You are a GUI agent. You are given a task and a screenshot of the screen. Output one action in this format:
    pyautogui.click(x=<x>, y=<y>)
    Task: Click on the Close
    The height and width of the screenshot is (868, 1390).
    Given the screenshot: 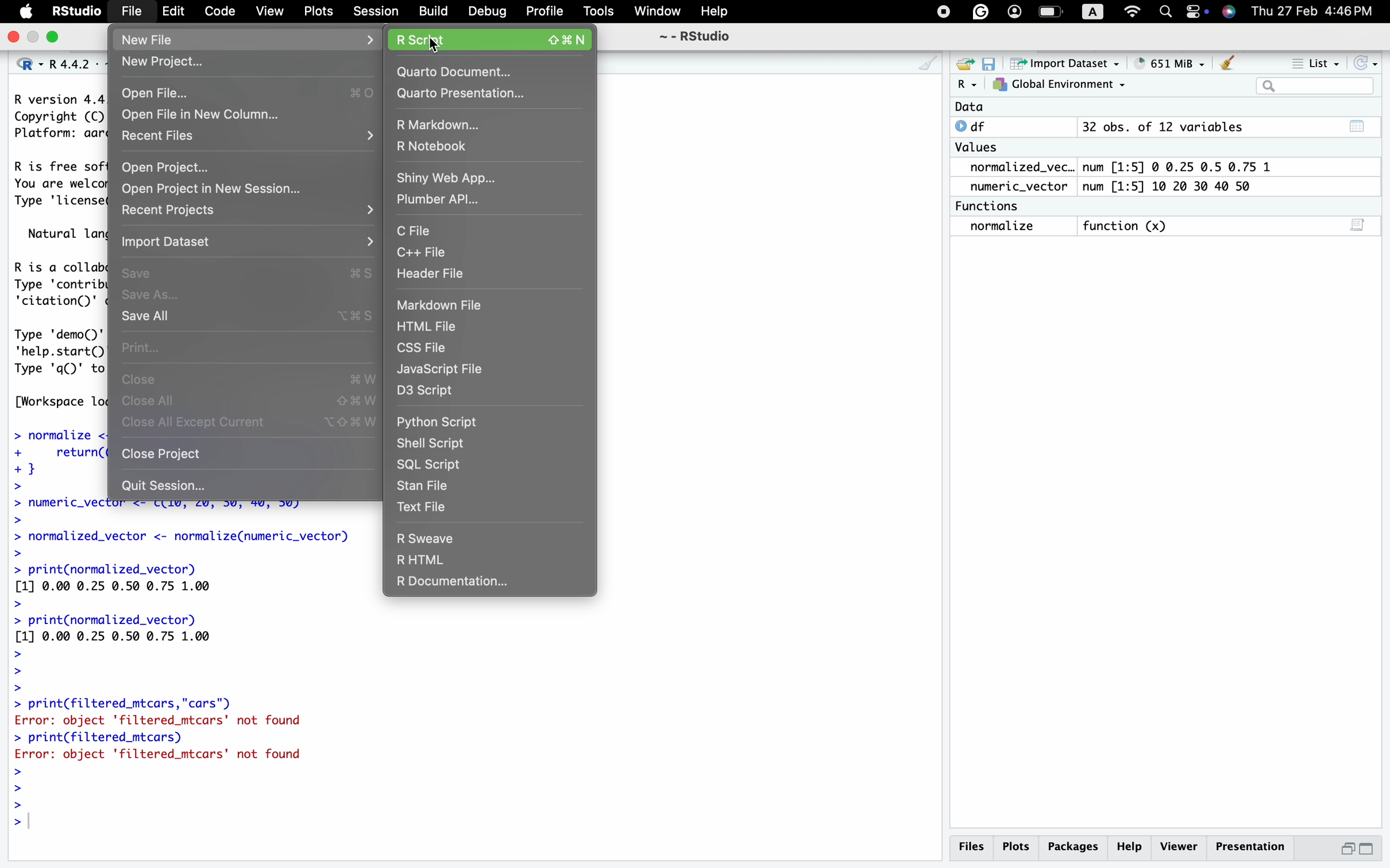 What is the action you would take?
    pyautogui.click(x=245, y=379)
    